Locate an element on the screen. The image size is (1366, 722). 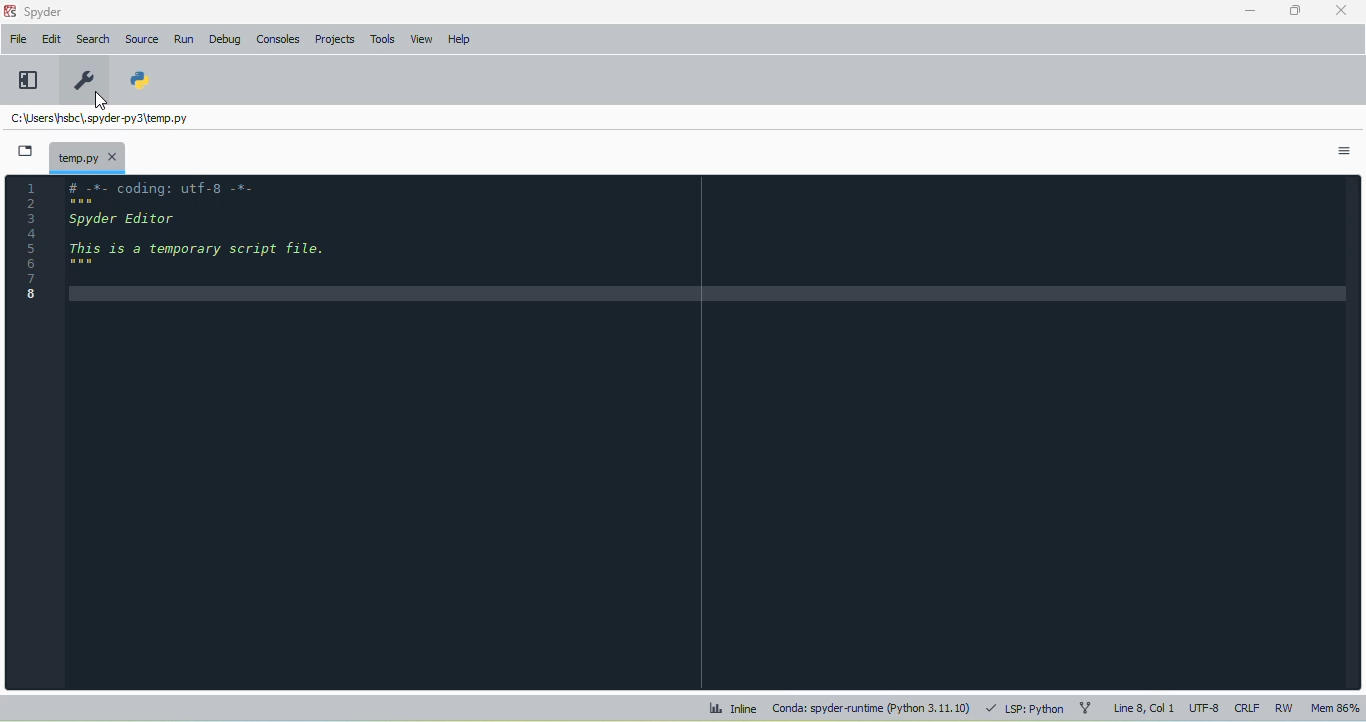
RW is located at coordinates (1285, 707).